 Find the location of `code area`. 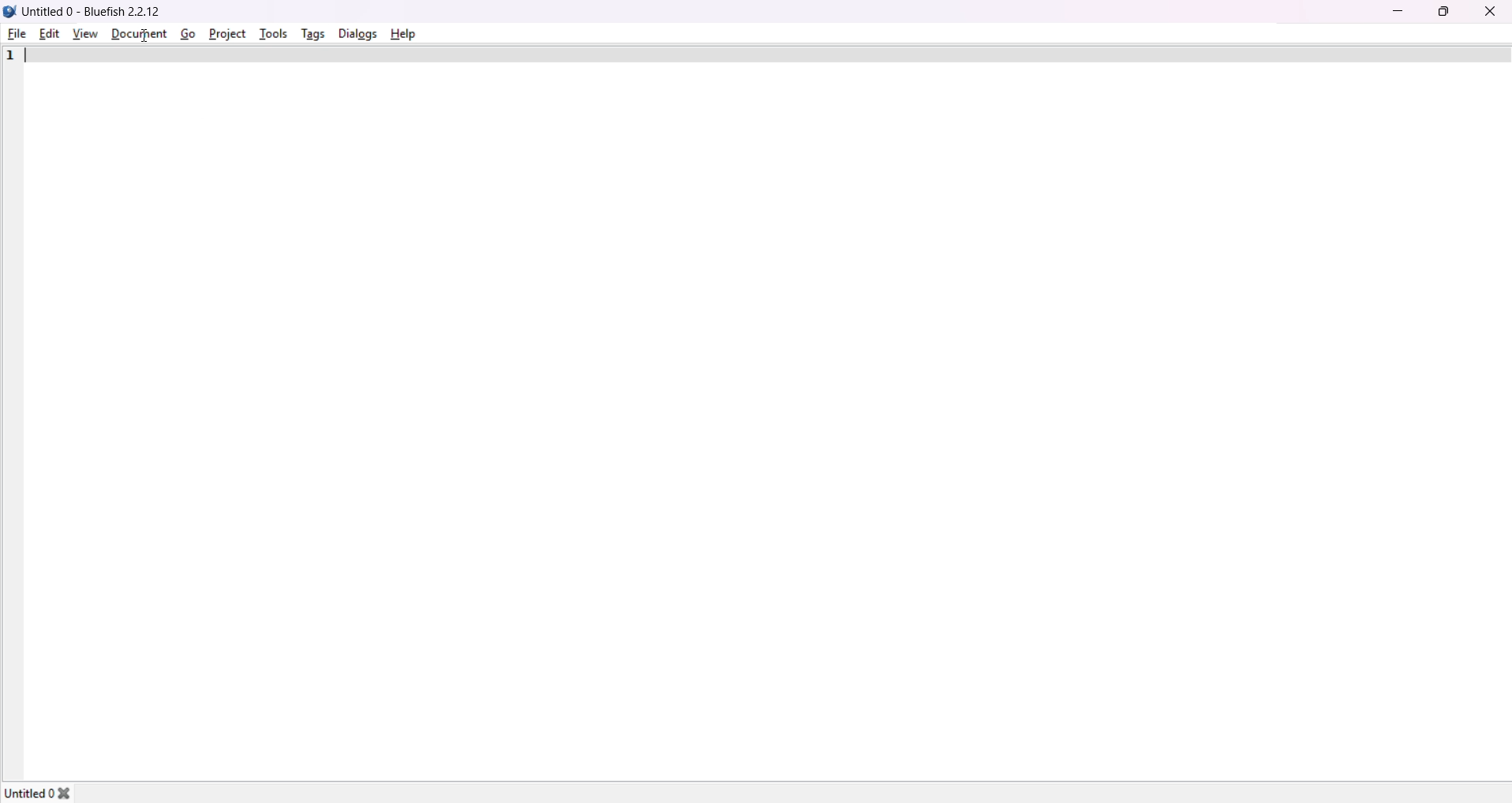

code area is located at coordinates (769, 409).